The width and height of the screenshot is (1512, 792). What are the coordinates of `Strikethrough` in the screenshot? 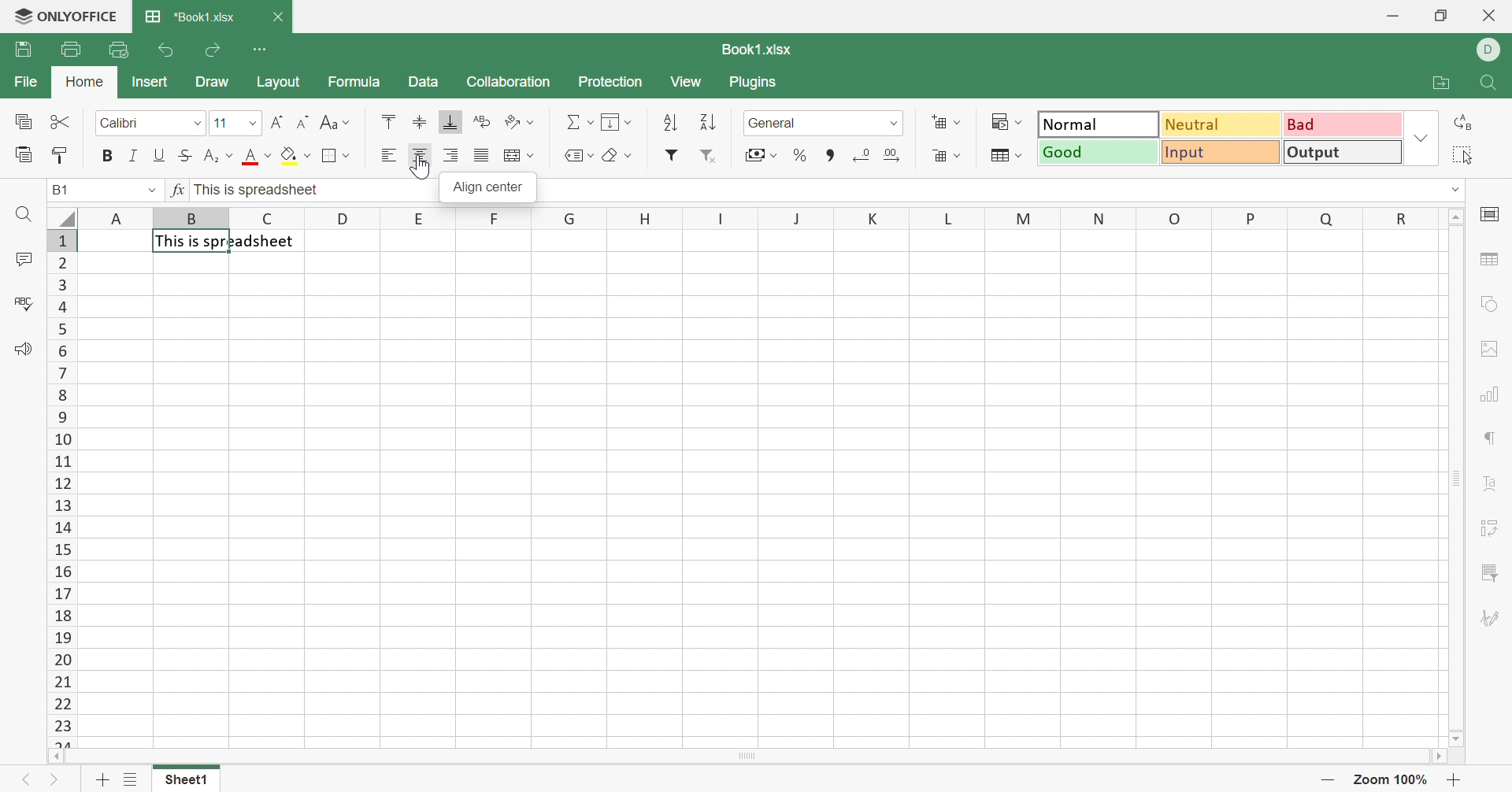 It's located at (187, 154).